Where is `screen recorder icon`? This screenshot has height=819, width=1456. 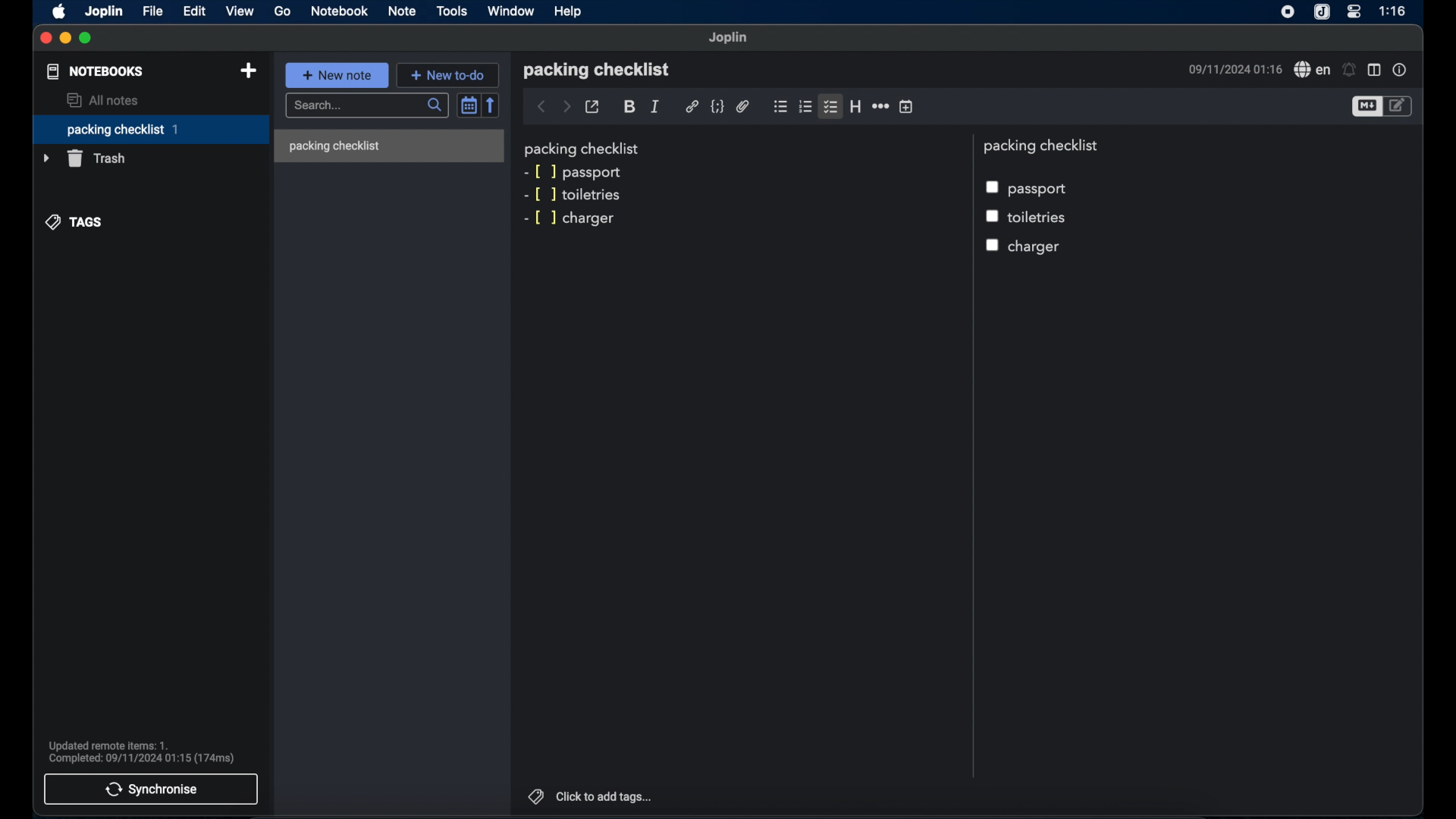
screen recorder icon is located at coordinates (1288, 13).